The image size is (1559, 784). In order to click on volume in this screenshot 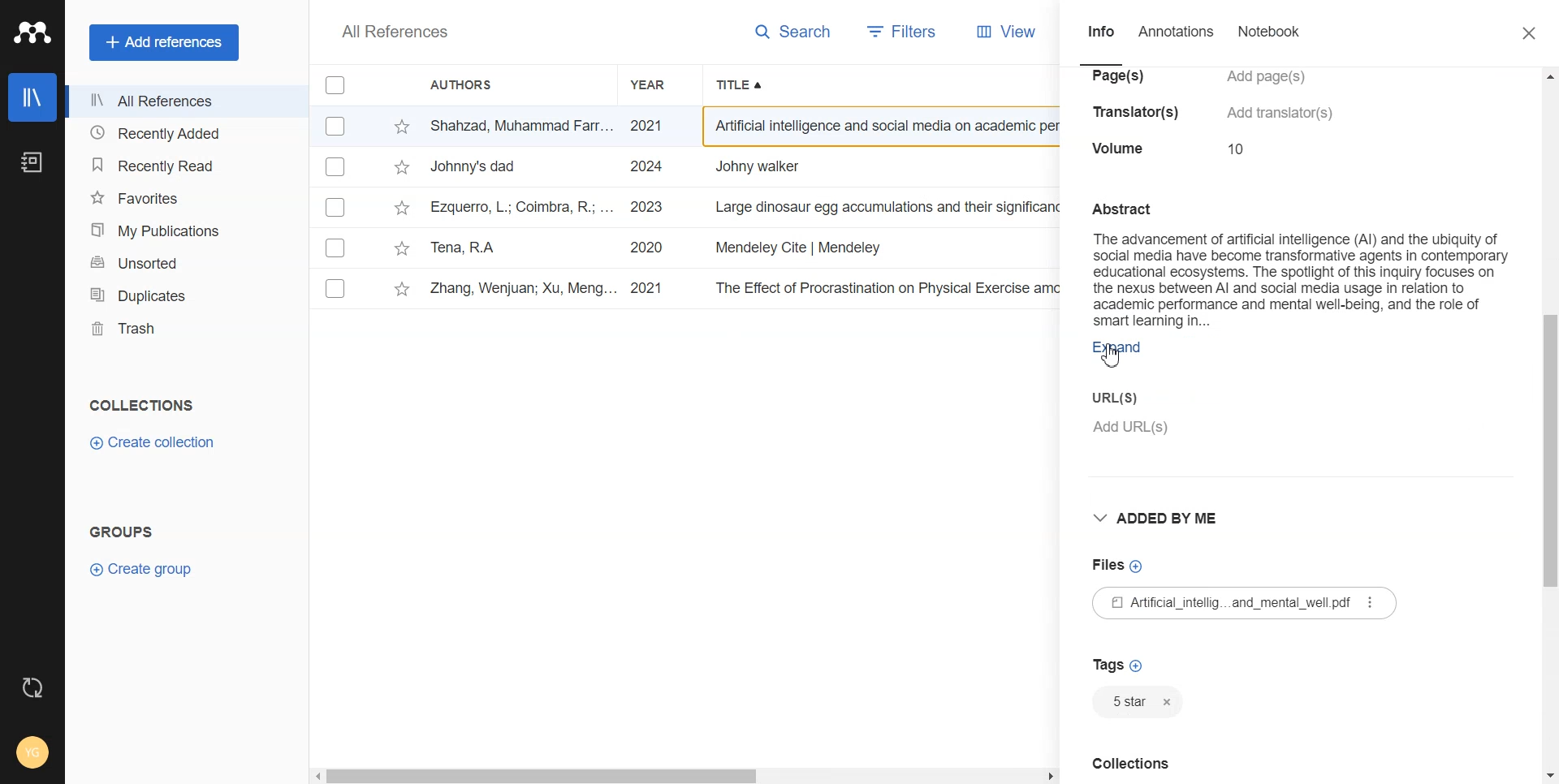, I will do `click(1117, 147)`.